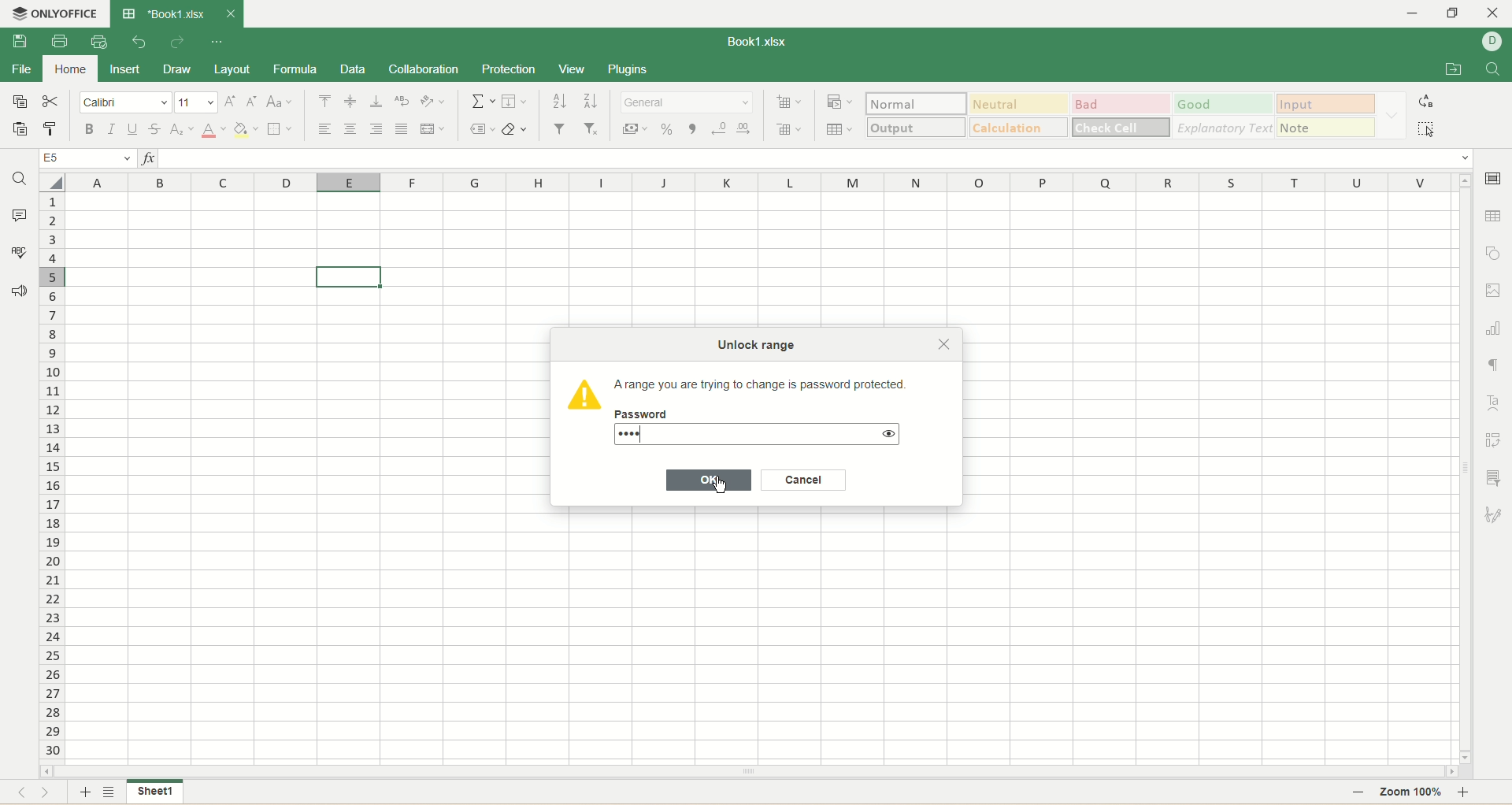  I want to click on chart settings, so click(1494, 329).